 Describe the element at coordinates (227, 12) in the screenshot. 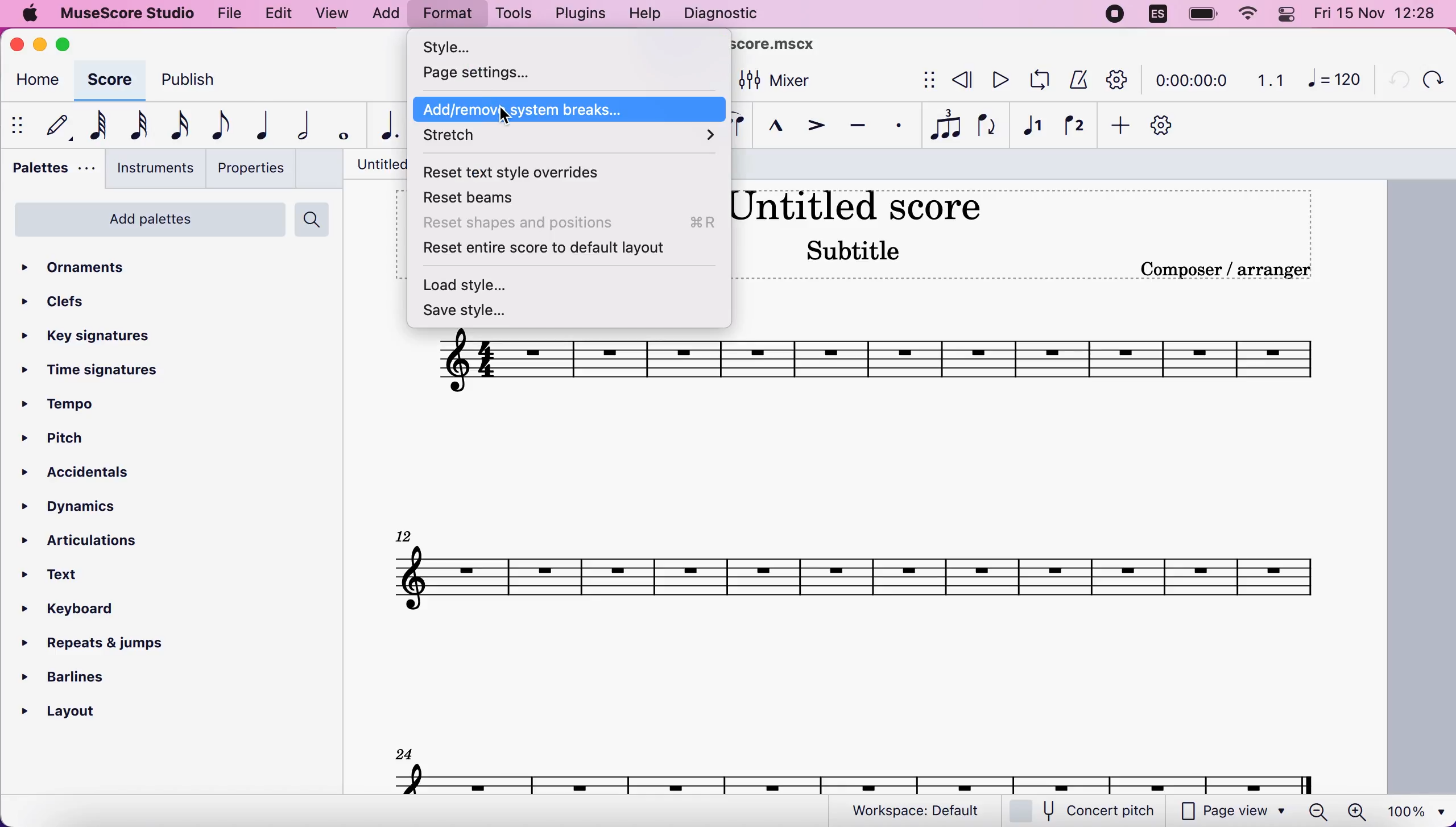

I see `file` at that location.